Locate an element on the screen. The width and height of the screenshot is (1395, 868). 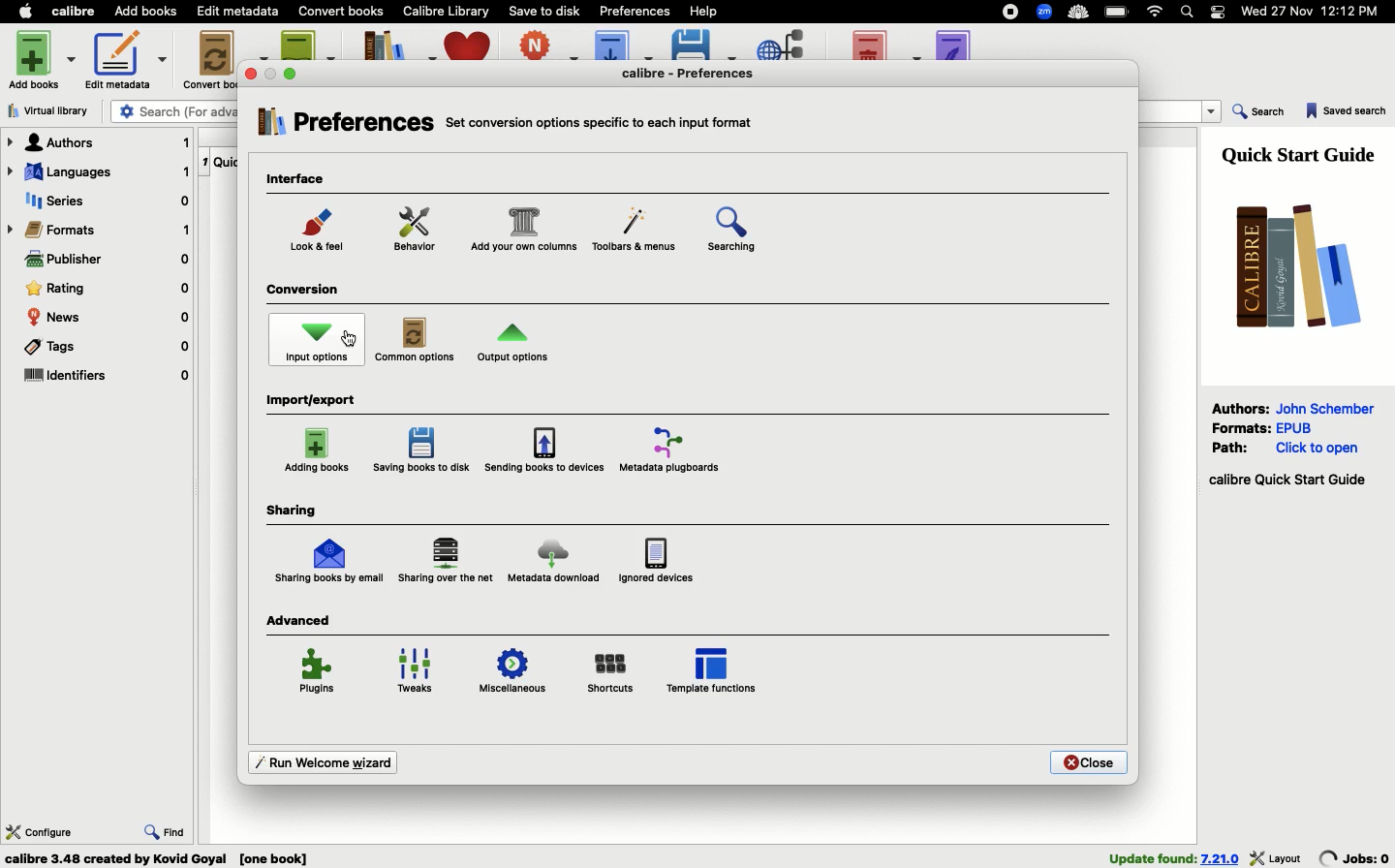
layout is located at coordinates (1277, 857).